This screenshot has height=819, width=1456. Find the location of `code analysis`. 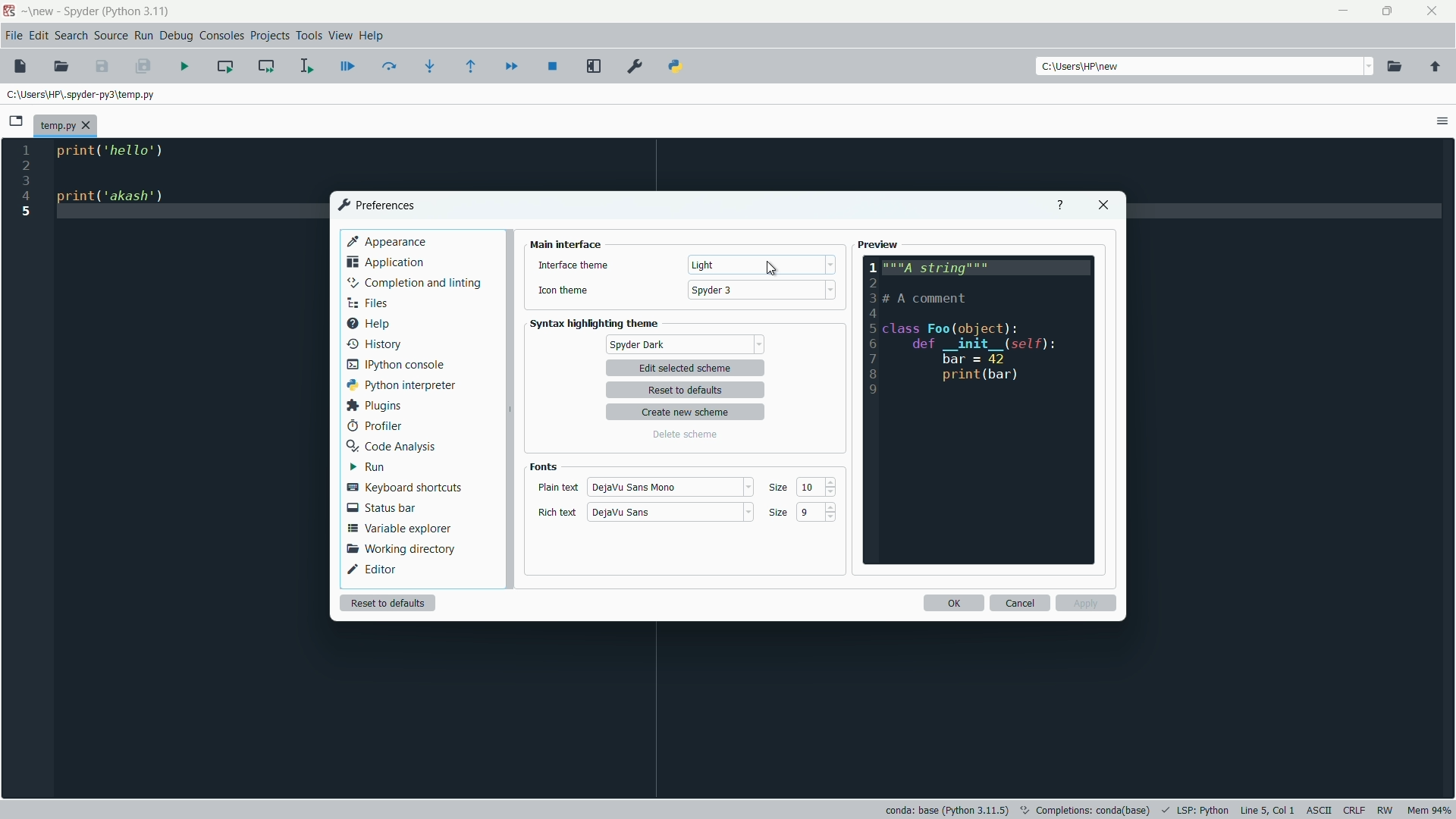

code analysis is located at coordinates (389, 446).